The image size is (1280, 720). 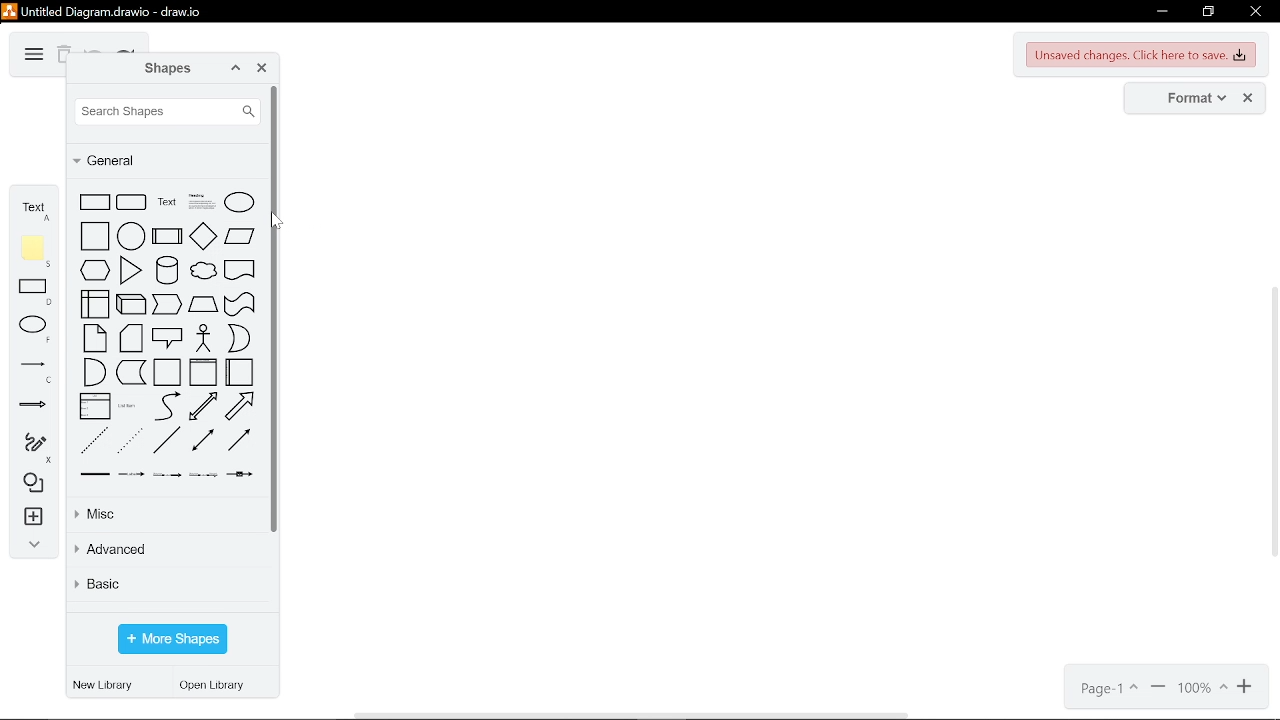 I want to click on delete, so click(x=63, y=56).